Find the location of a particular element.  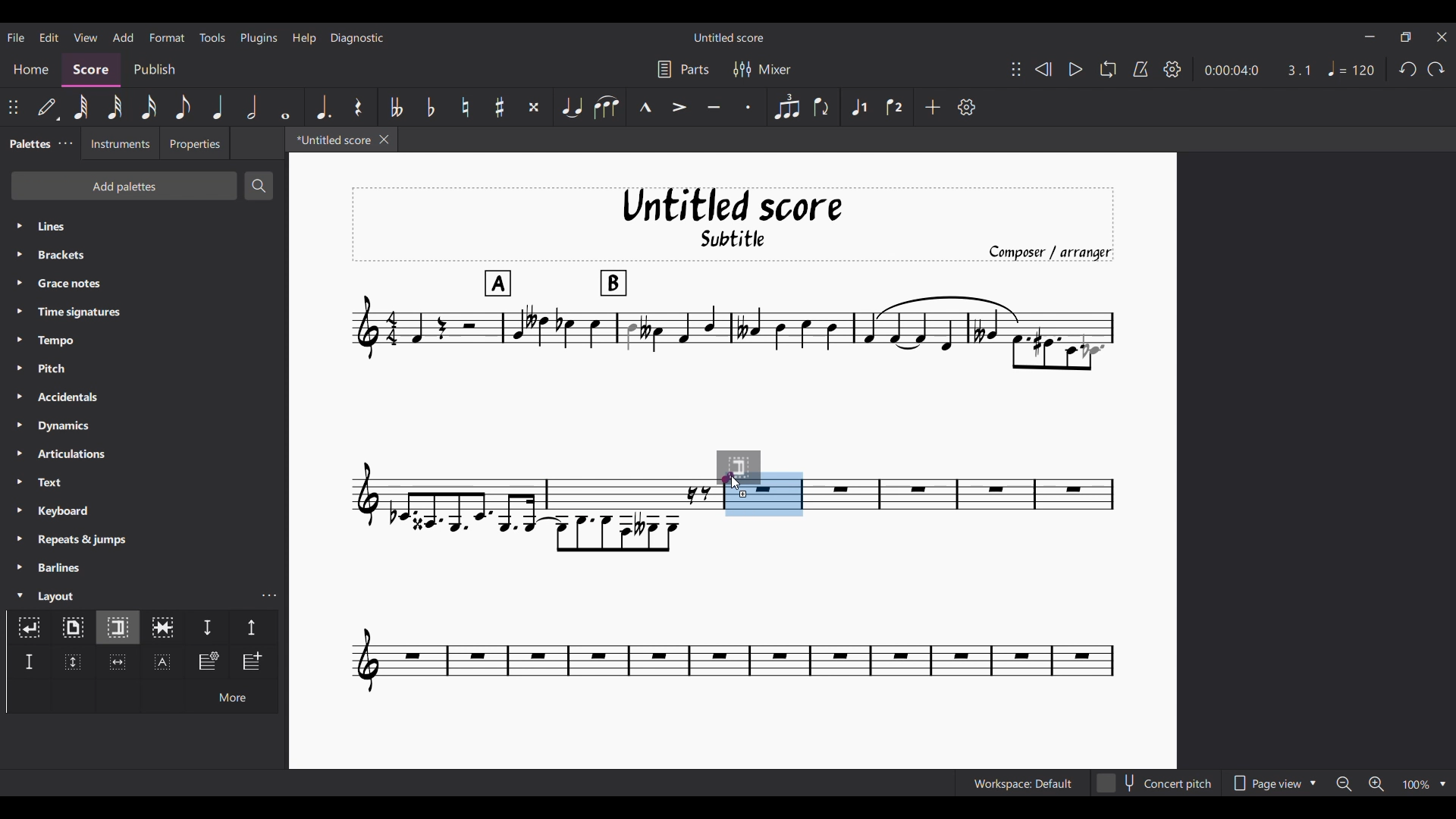

Cursor is located at coordinates (737, 482).